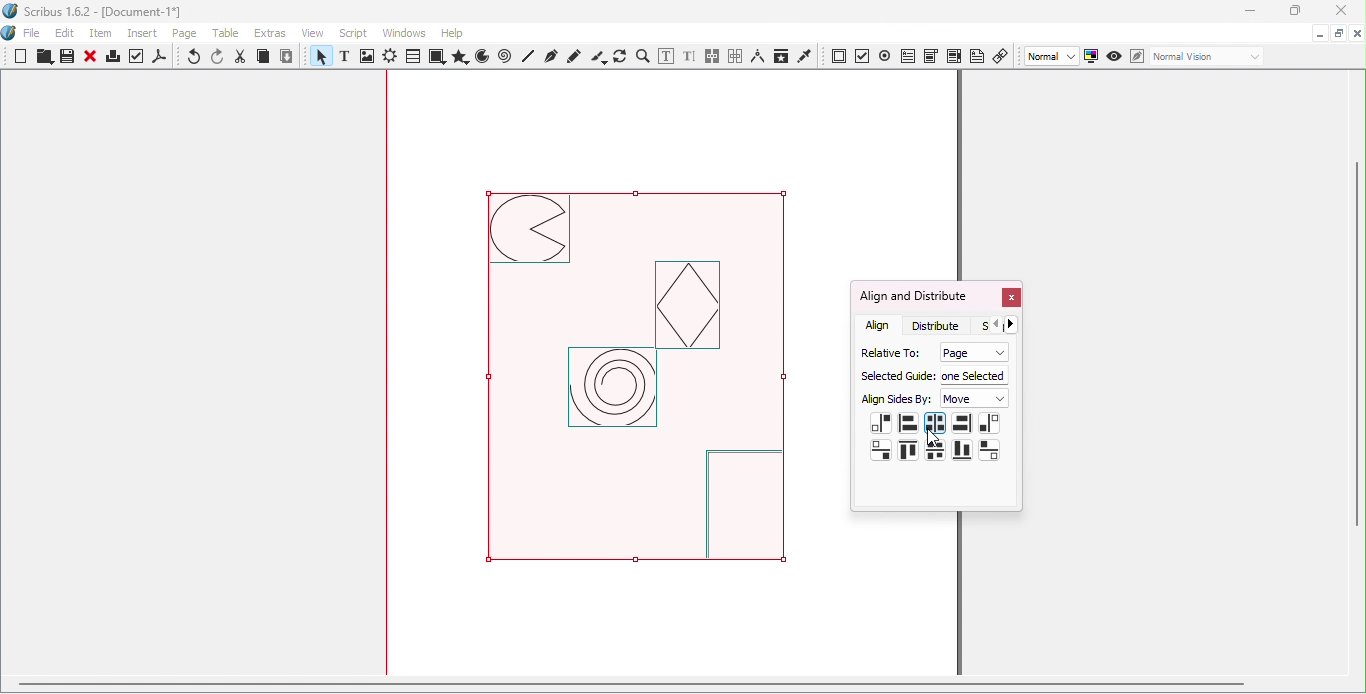 The image size is (1366, 694). What do you see at coordinates (1338, 32) in the screenshot?
I see `Maximize` at bounding box center [1338, 32].